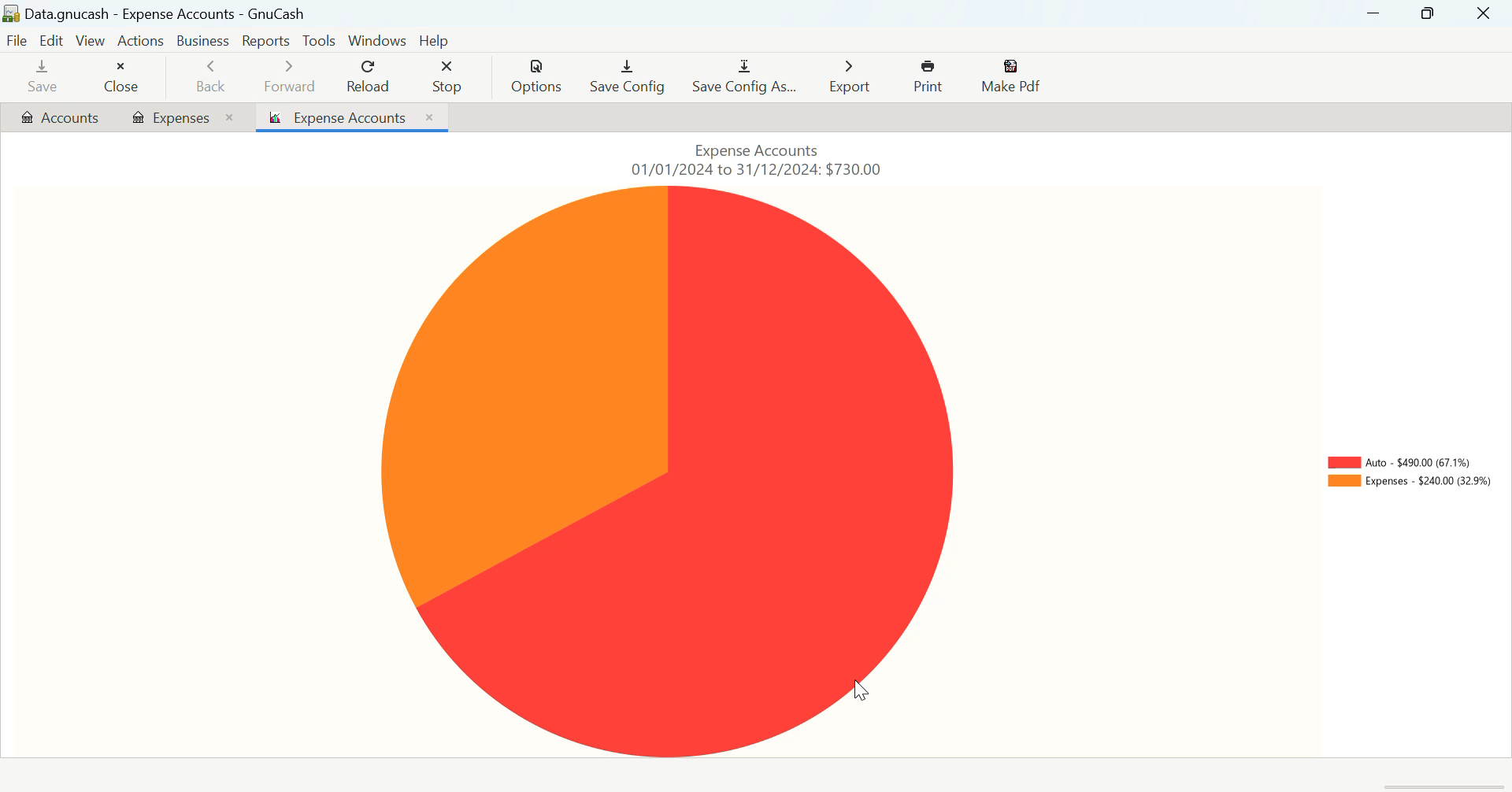 Image resolution: width=1512 pixels, height=792 pixels. I want to click on Piechart Visual Representation, so click(674, 472).